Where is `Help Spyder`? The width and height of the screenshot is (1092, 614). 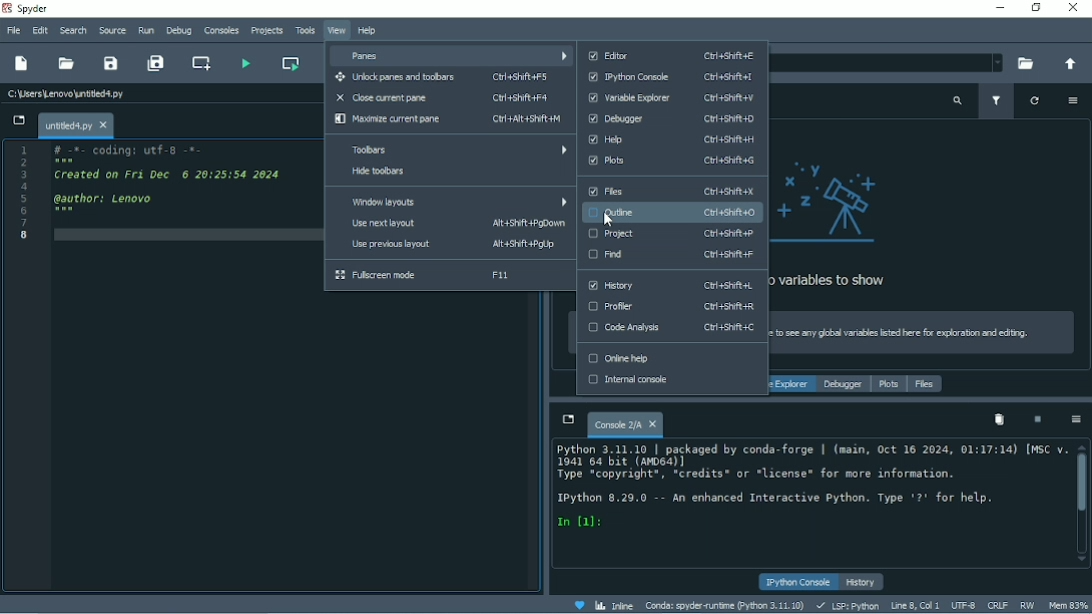
Help Spyder is located at coordinates (578, 605).